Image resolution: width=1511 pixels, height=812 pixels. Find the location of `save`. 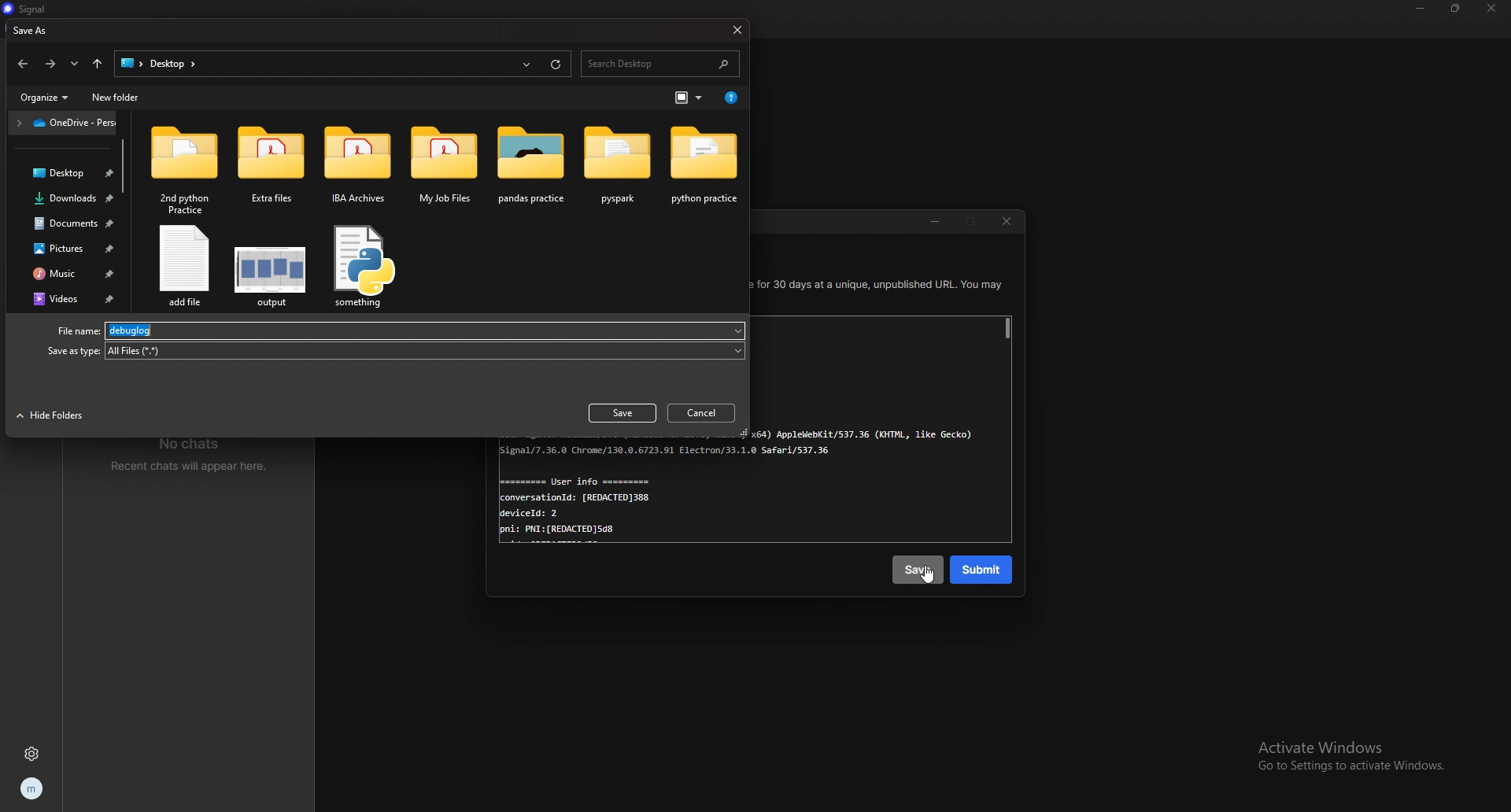

save is located at coordinates (620, 413).